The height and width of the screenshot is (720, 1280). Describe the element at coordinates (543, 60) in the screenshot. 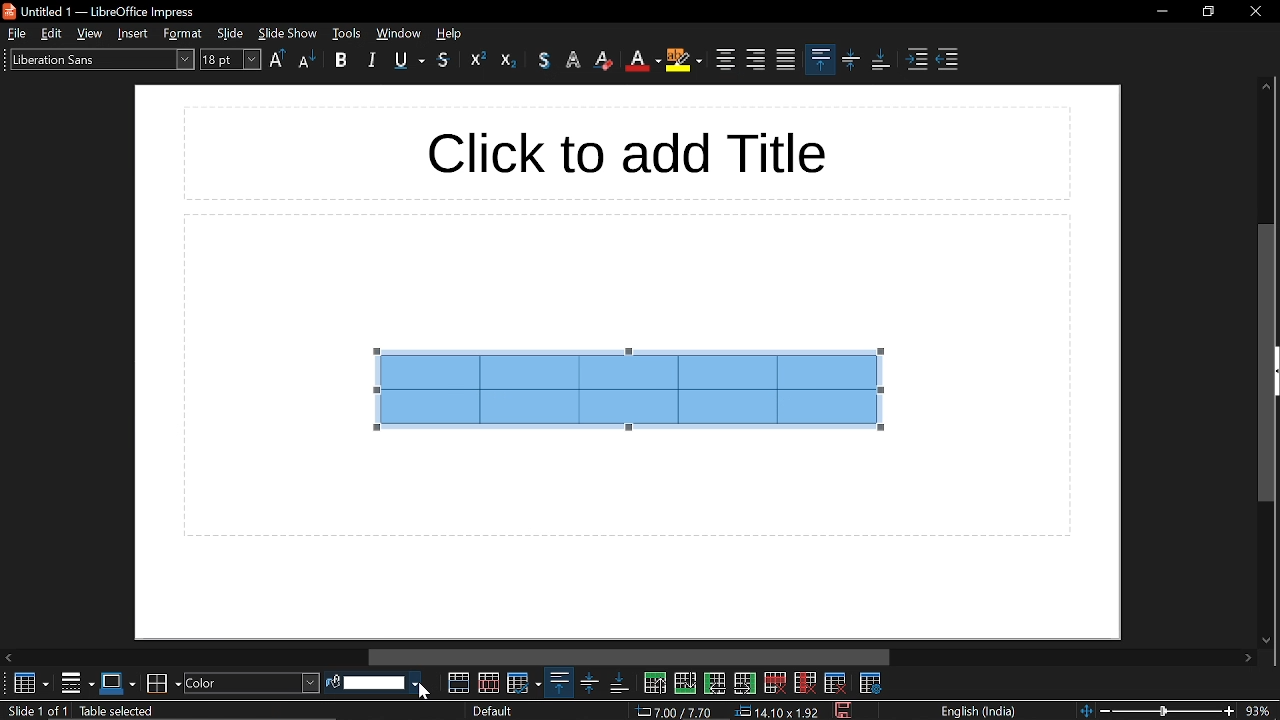

I see `text color` at that location.